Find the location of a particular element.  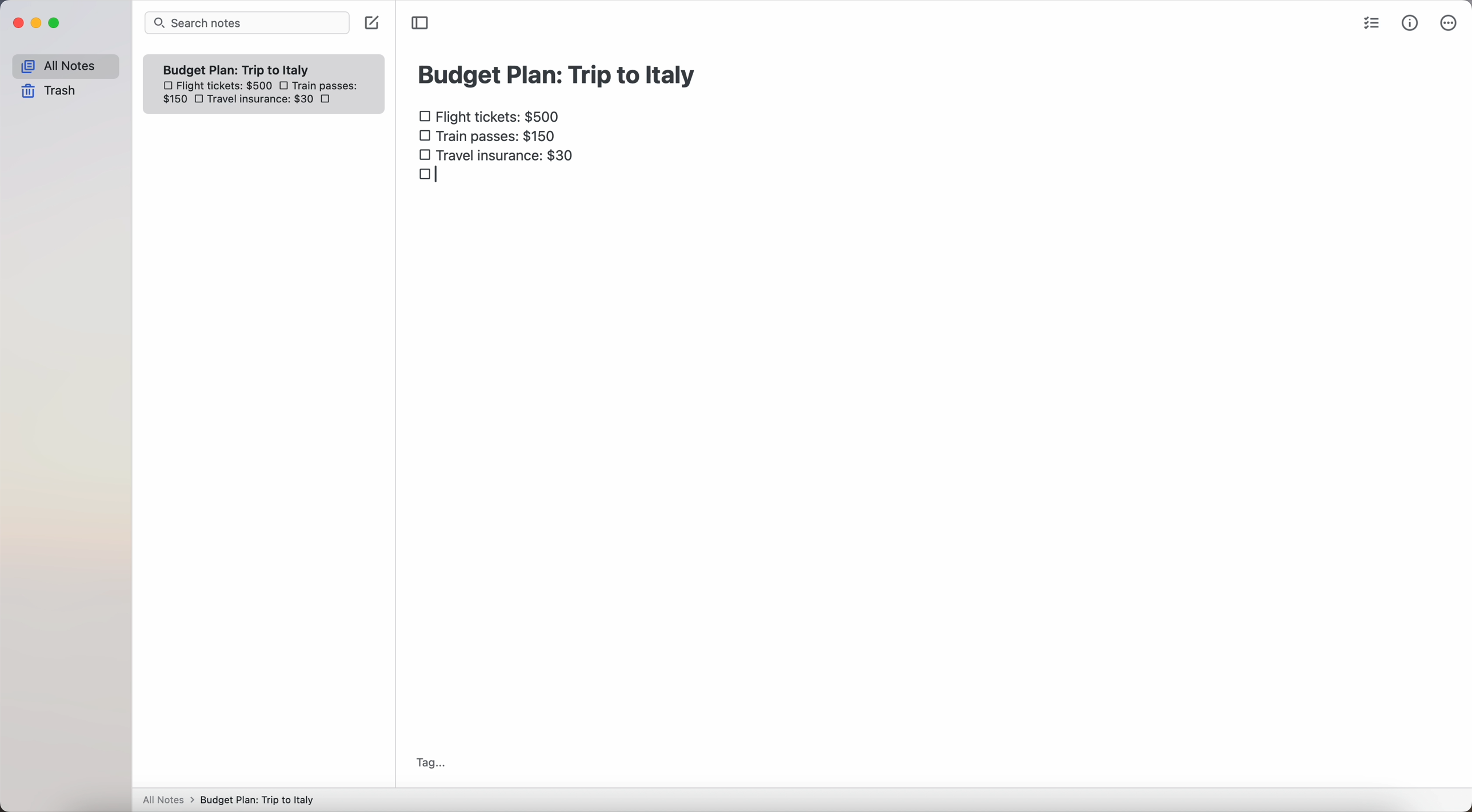

toggle sidebar is located at coordinates (421, 22).